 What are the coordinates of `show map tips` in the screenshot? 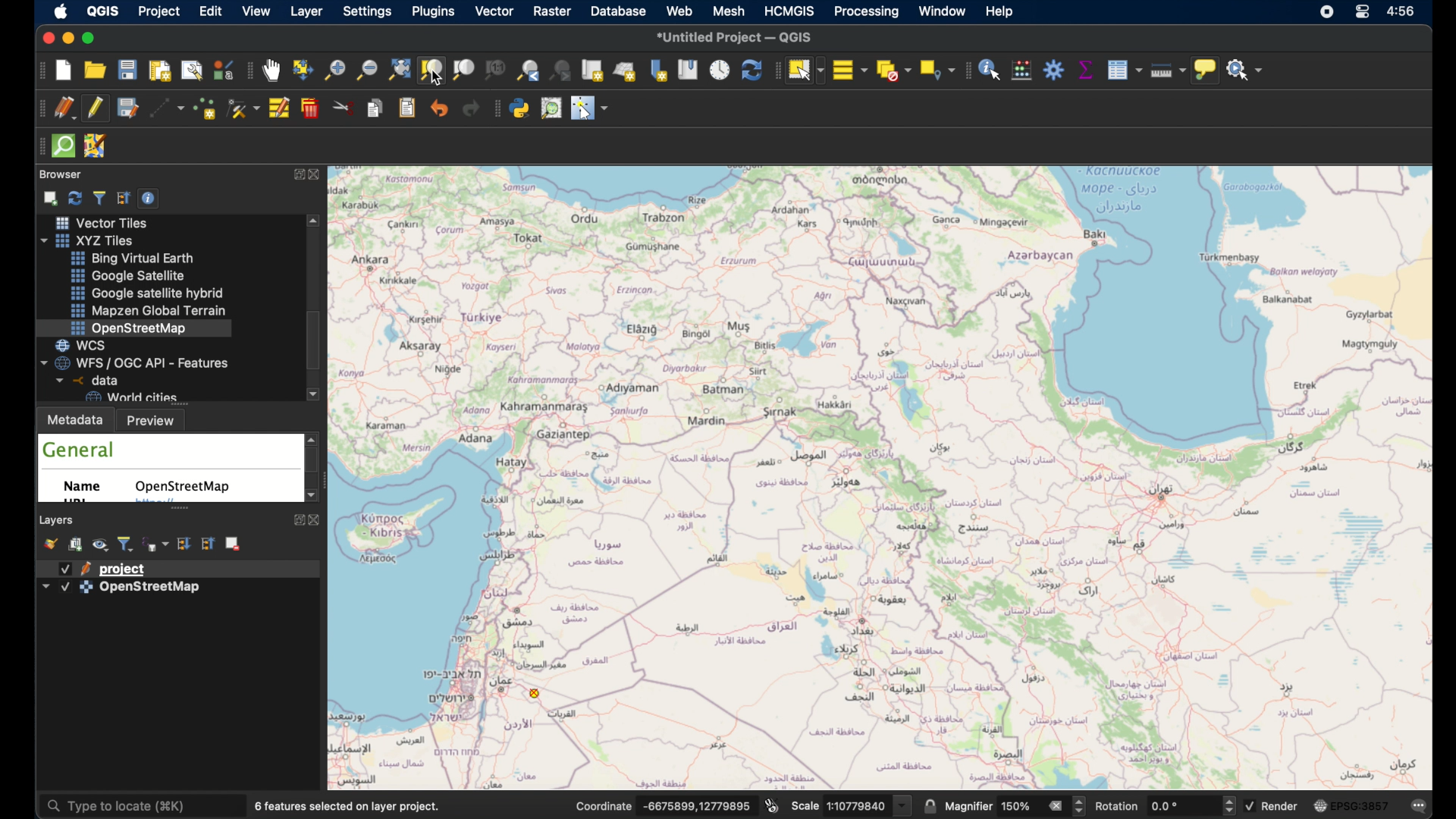 It's located at (1205, 71).